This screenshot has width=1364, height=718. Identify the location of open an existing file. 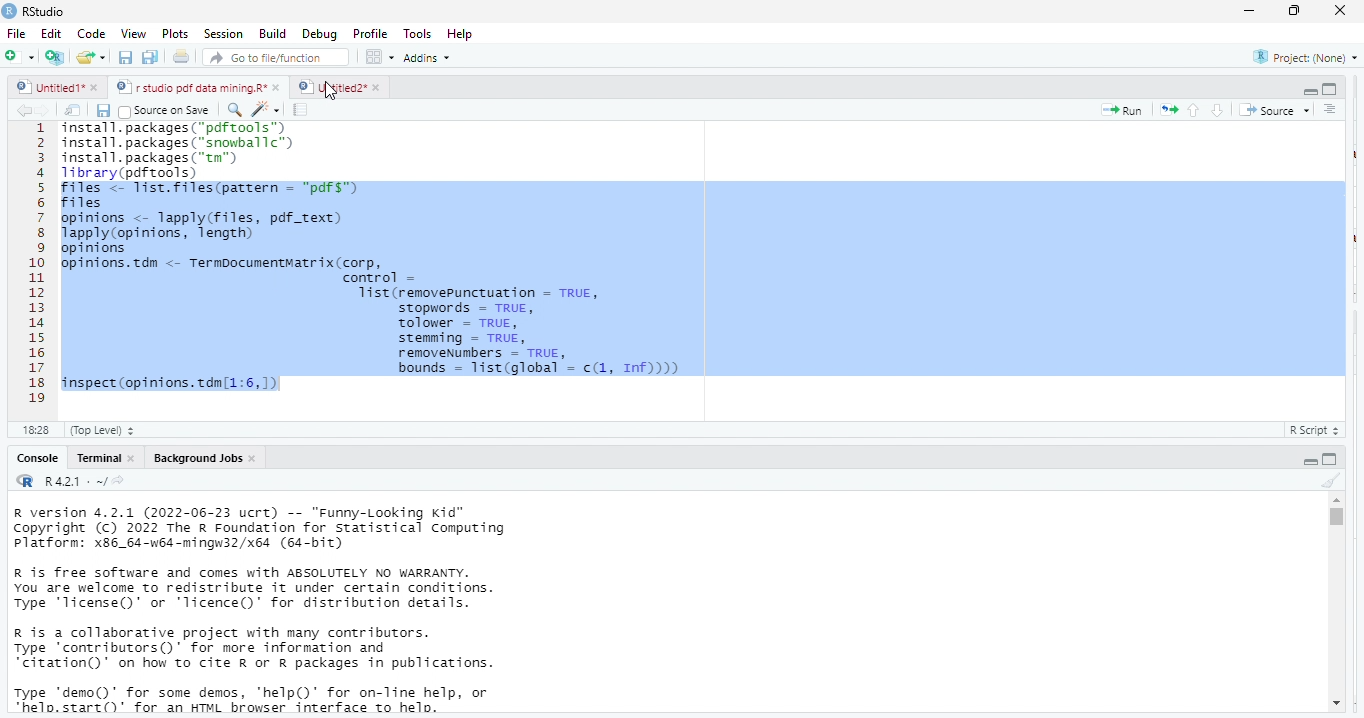
(92, 59).